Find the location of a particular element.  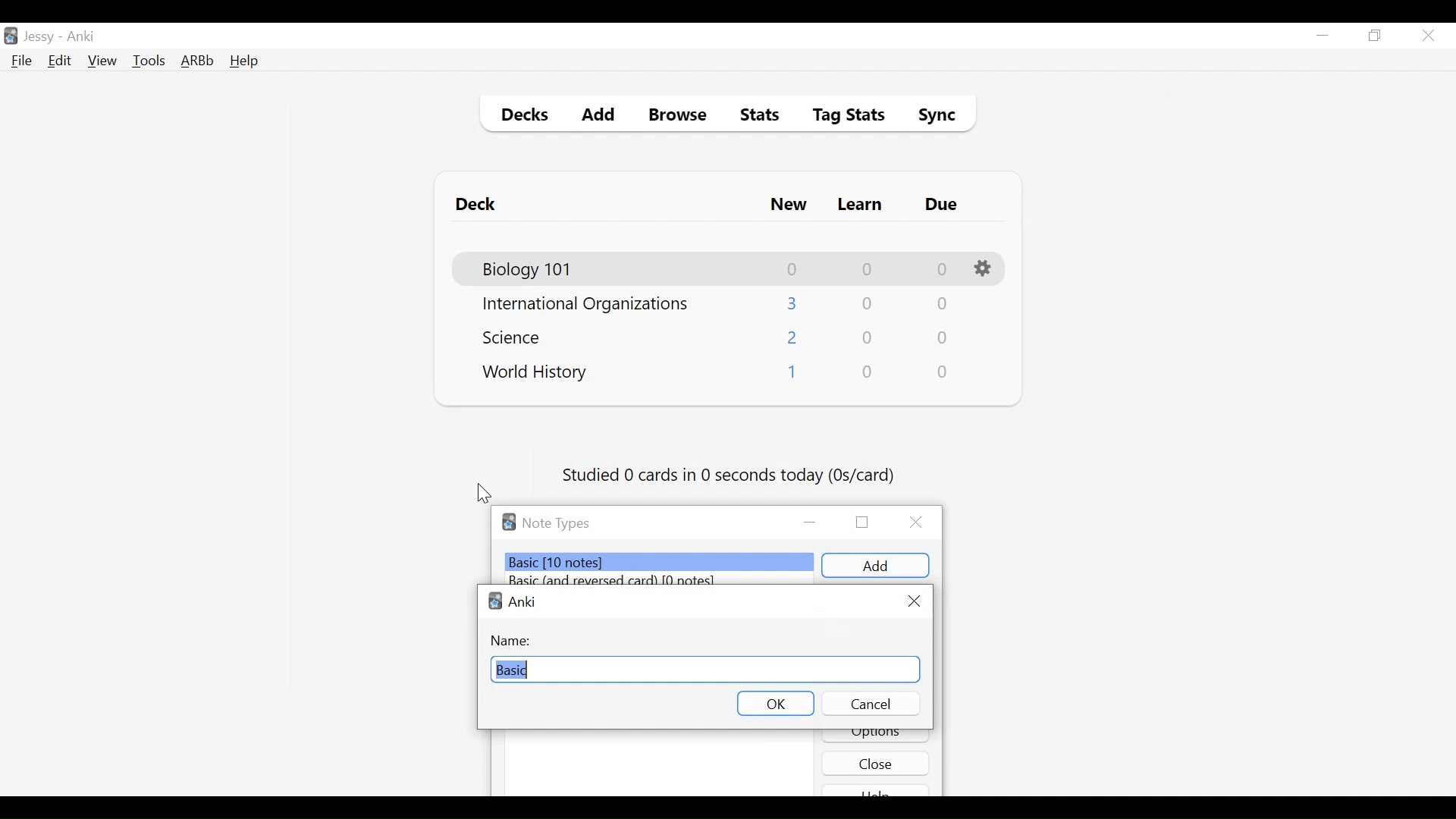

Note Types is located at coordinates (556, 523).